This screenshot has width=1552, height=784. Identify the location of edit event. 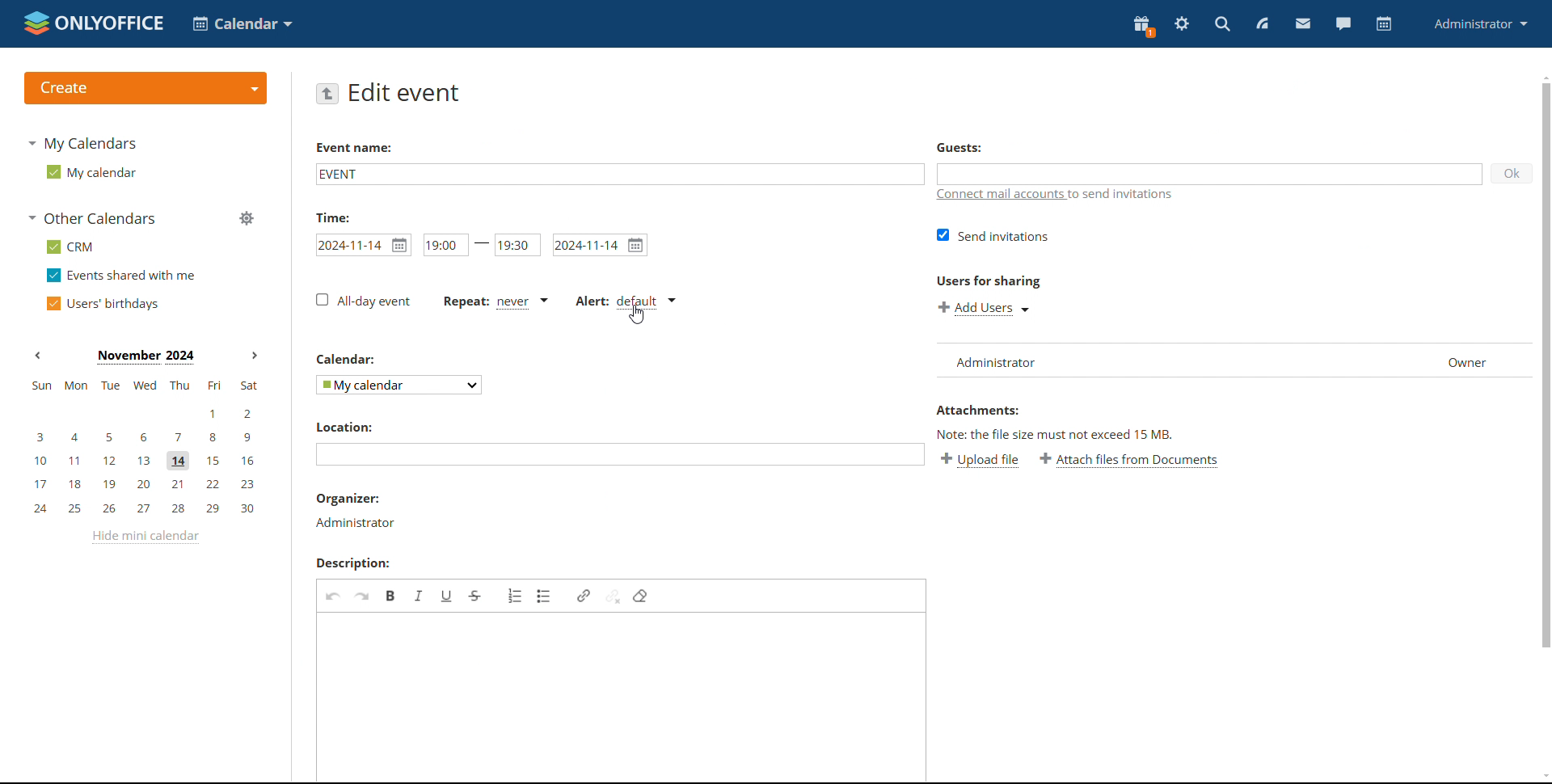
(406, 92).